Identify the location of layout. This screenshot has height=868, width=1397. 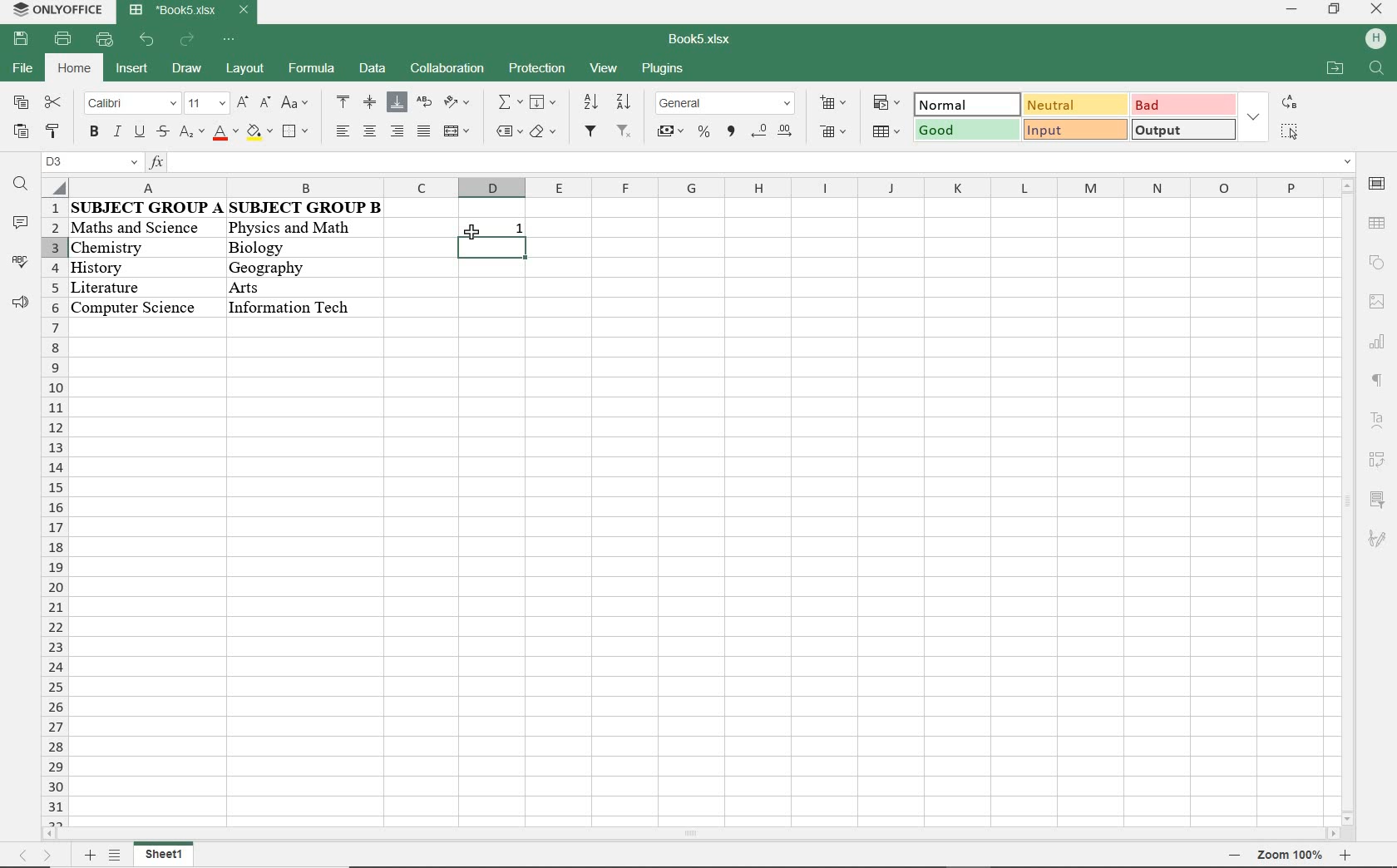
(244, 67).